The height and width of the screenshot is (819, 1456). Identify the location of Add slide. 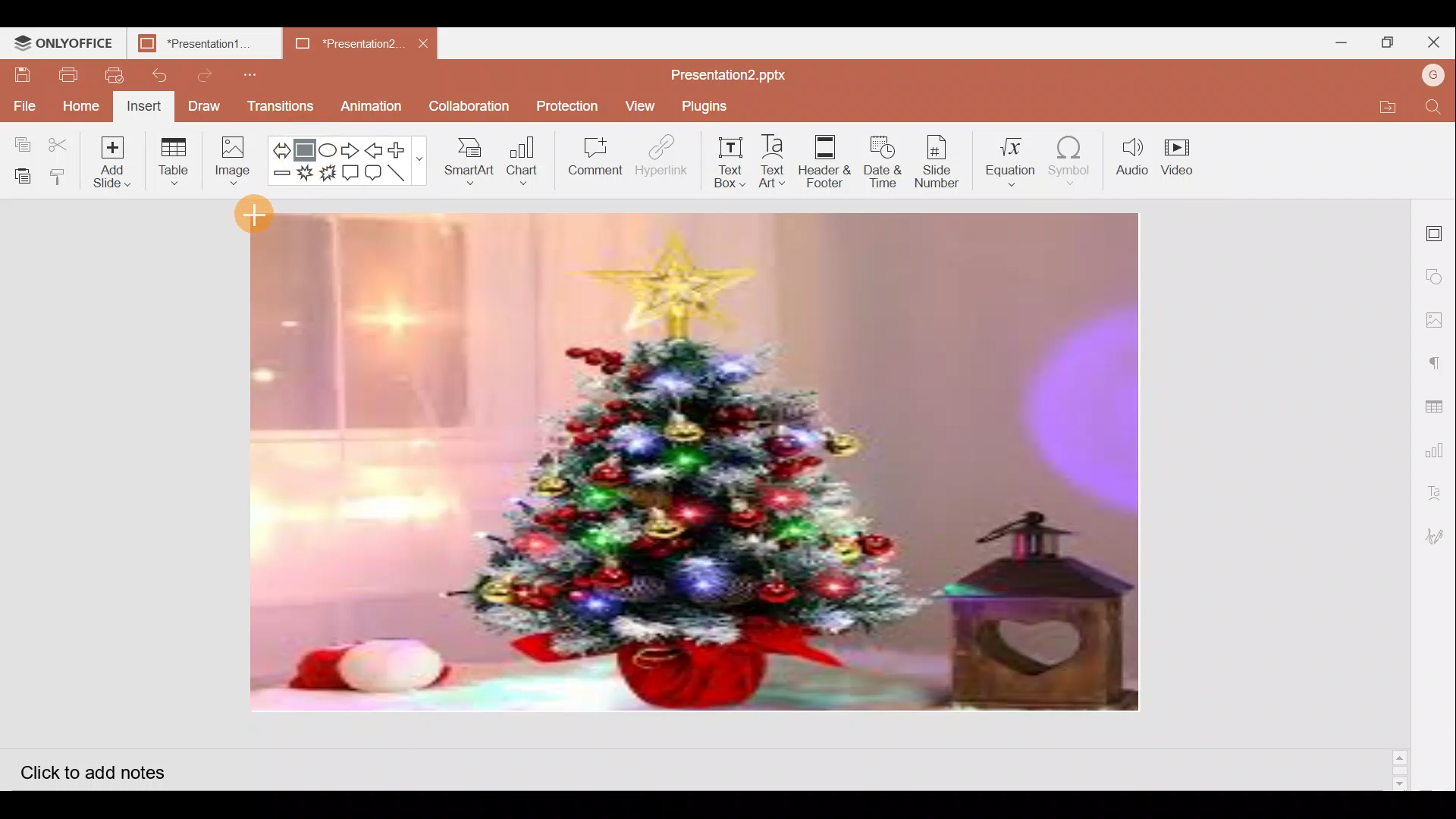
(114, 162).